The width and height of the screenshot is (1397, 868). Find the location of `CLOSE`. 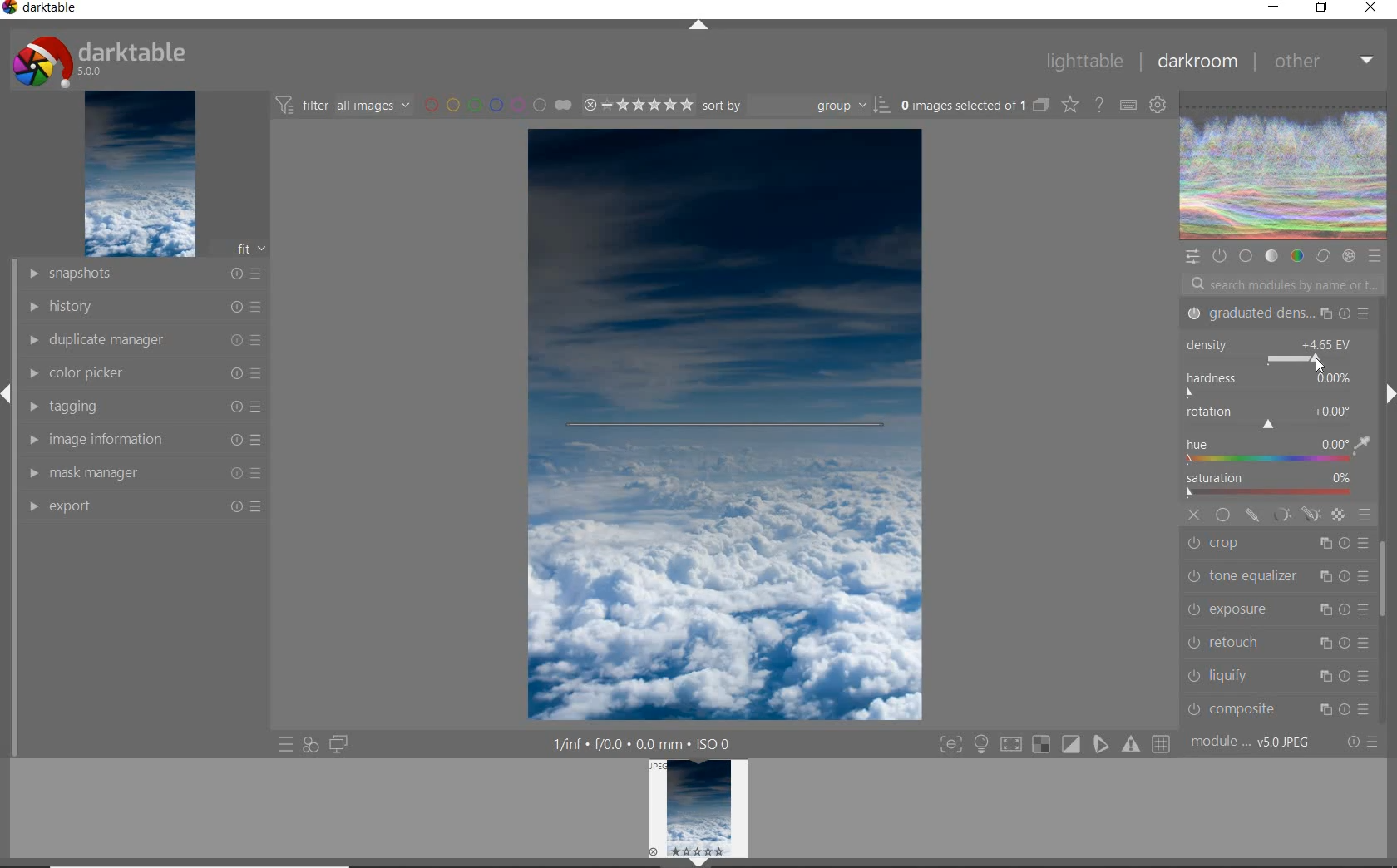

CLOSE is located at coordinates (1195, 515).